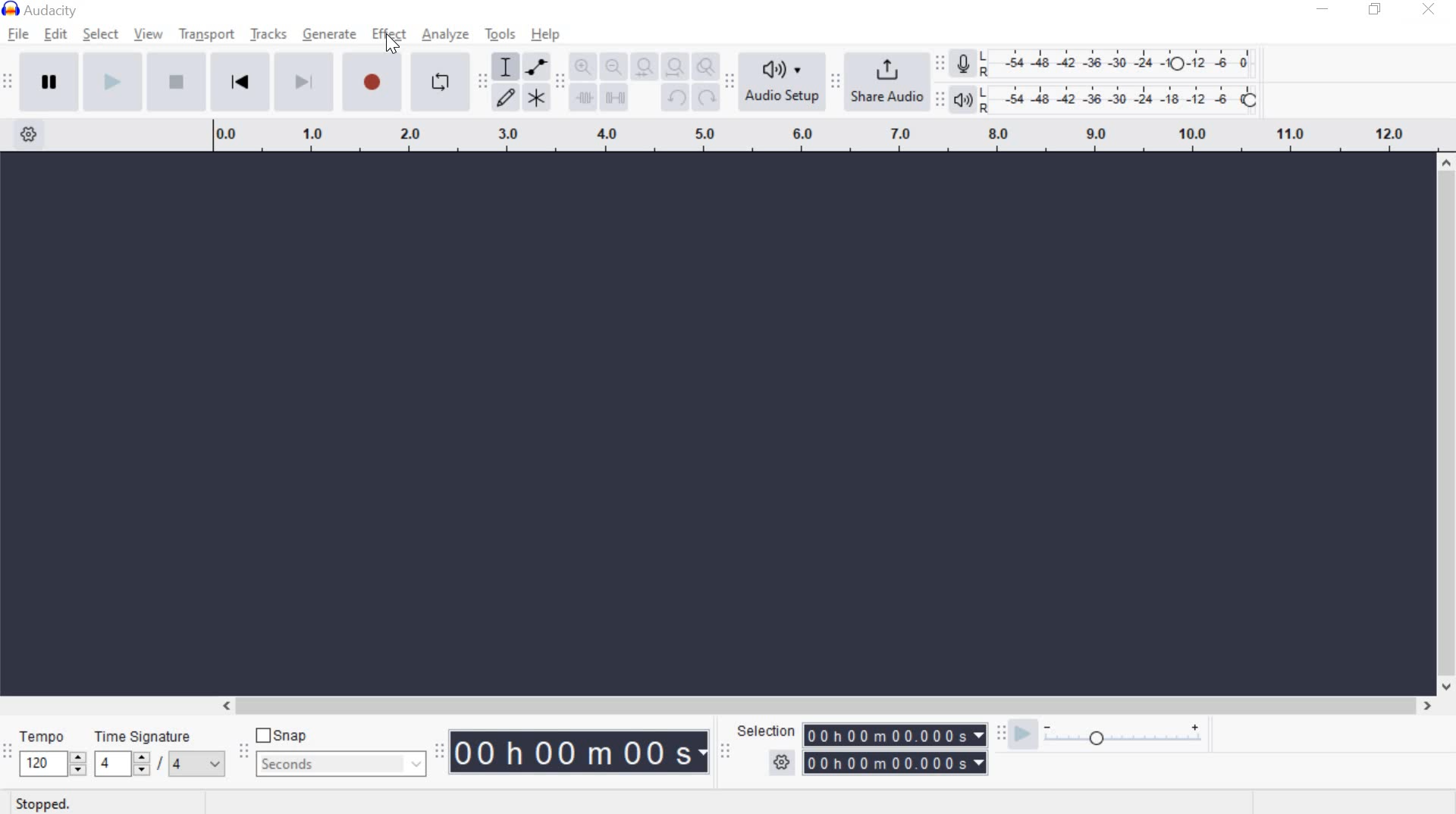  What do you see at coordinates (537, 64) in the screenshot?
I see `Envelope tool` at bounding box center [537, 64].